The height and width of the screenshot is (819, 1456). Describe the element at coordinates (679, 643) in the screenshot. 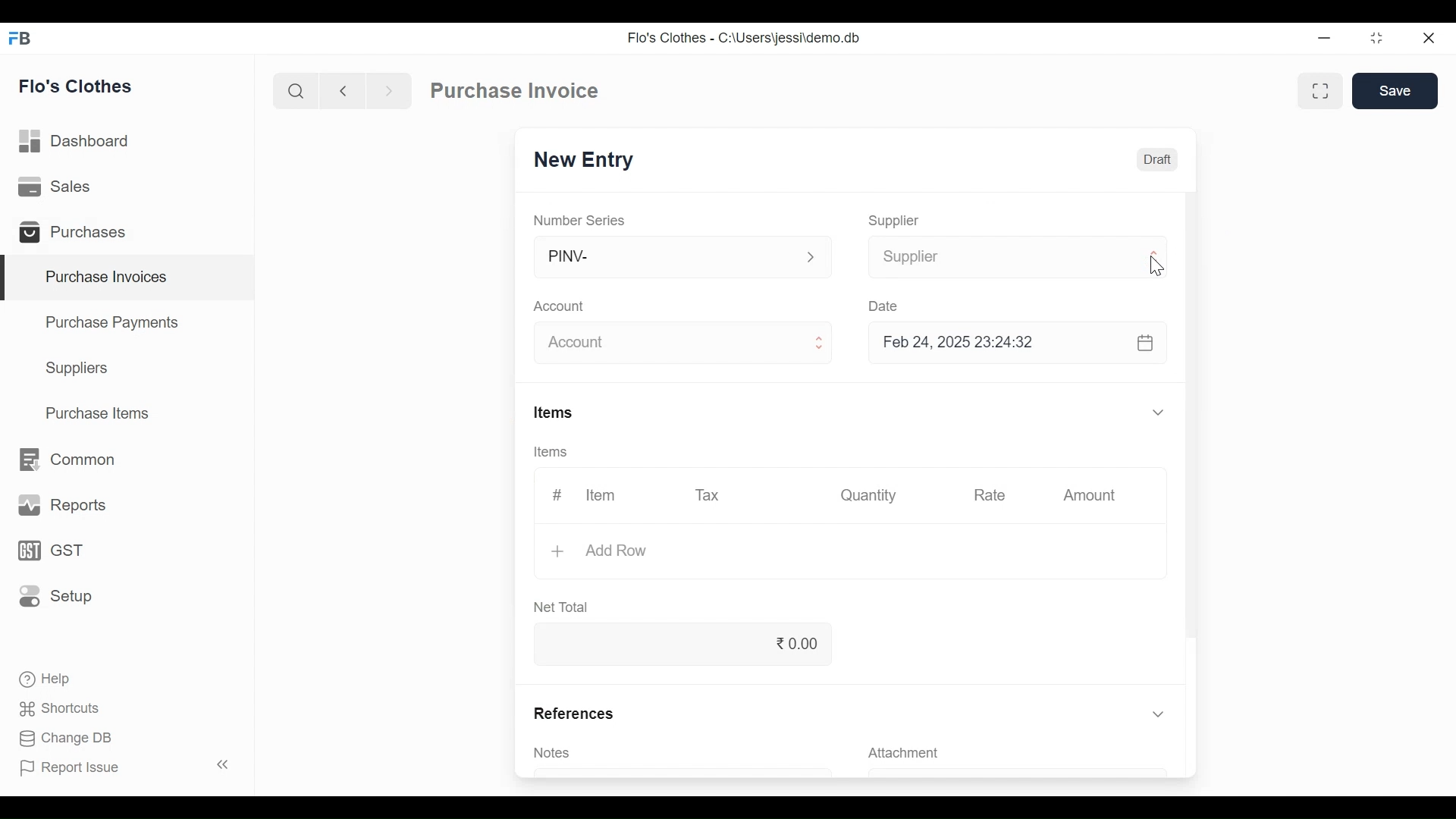

I see `0.00` at that location.